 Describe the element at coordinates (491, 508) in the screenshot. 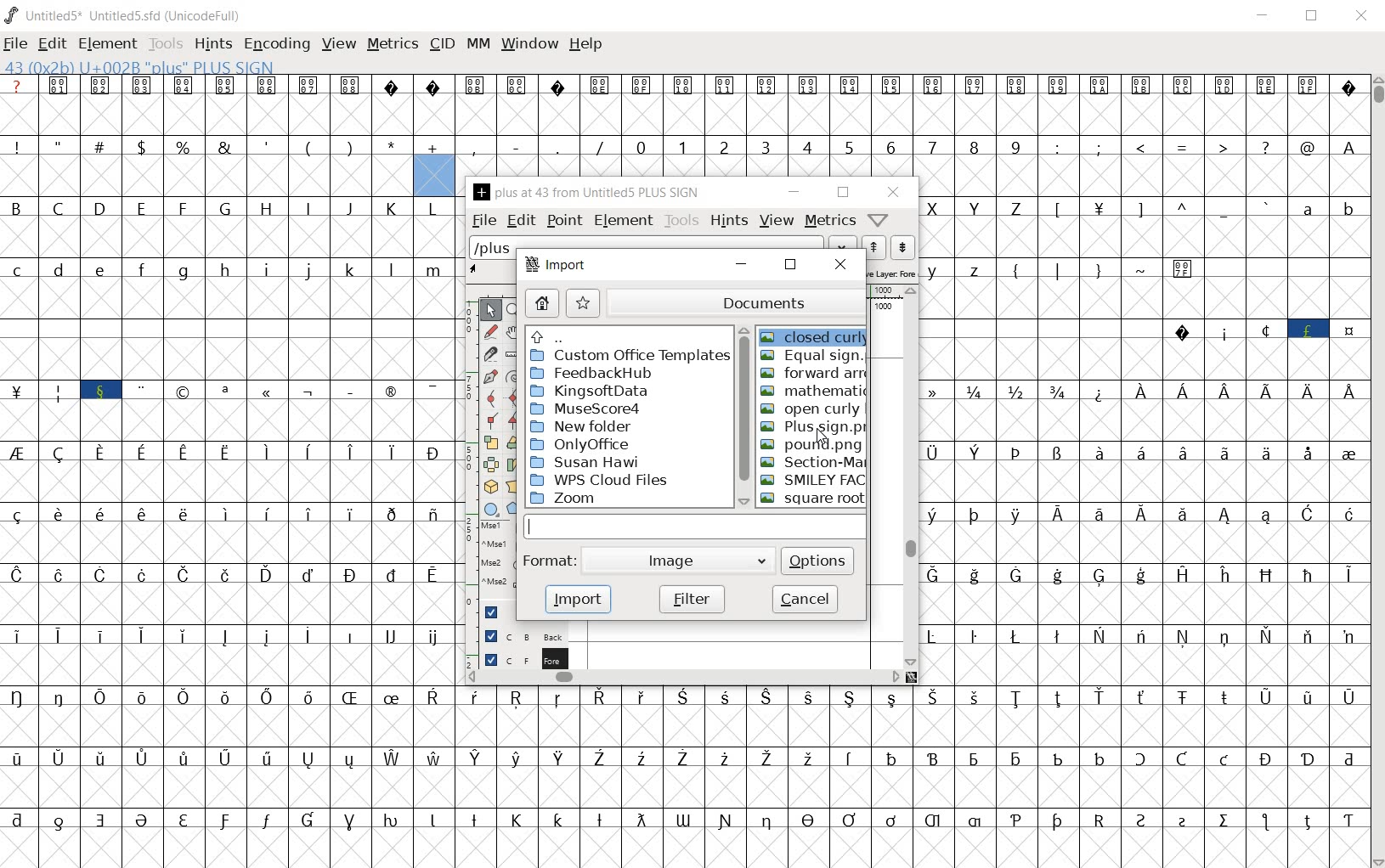

I see `rectangle or ellipse` at that location.